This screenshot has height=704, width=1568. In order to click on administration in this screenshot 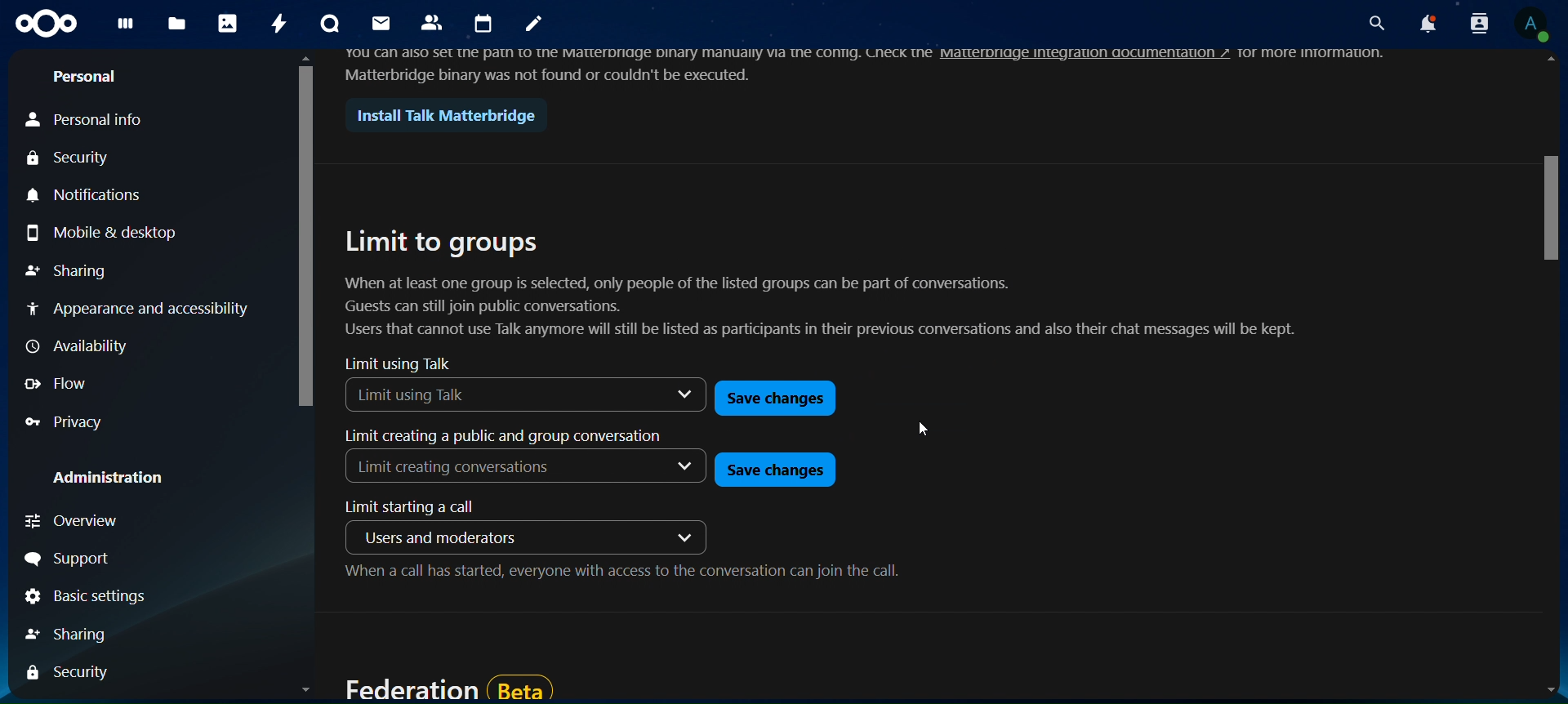, I will do `click(114, 479)`.